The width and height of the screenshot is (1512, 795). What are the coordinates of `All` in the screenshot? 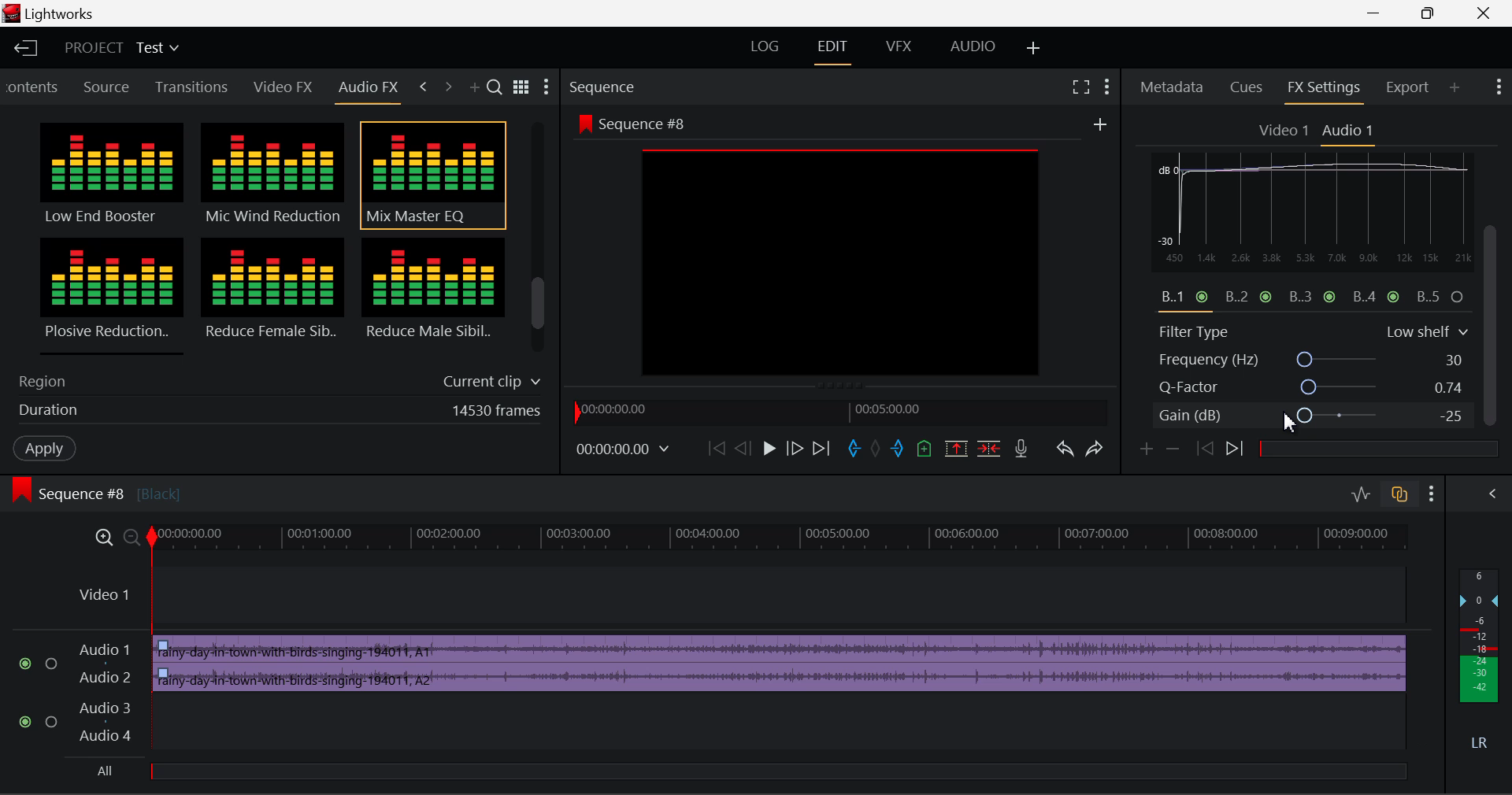 It's located at (113, 770).